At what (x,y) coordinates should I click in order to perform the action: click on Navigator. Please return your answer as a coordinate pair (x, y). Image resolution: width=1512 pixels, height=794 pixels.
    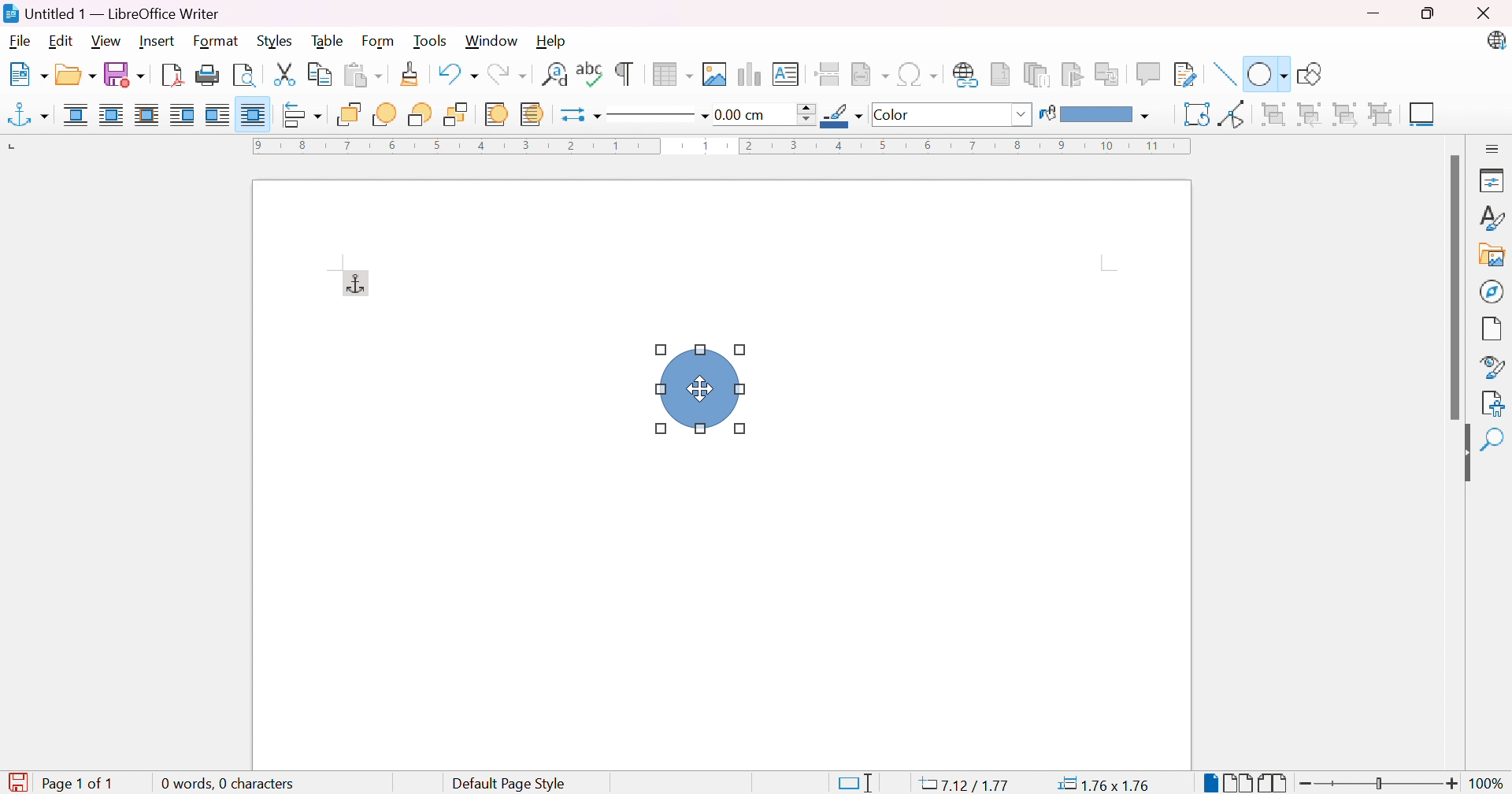
    Looking at the image, I should click on (1492, 291).